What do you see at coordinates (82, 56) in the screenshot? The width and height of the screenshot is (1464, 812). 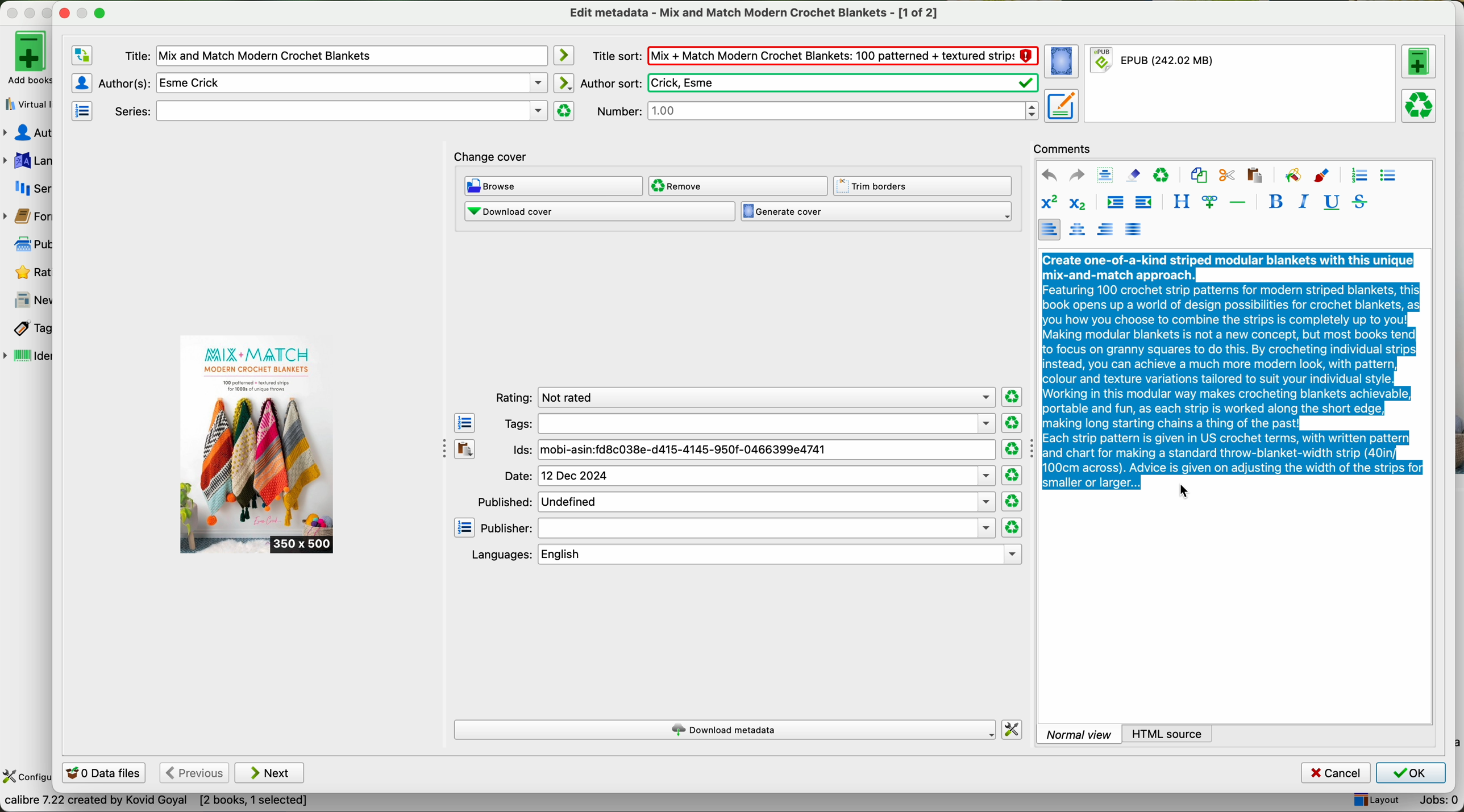 I see `swap the author and title` at bounding box center [82, 56].